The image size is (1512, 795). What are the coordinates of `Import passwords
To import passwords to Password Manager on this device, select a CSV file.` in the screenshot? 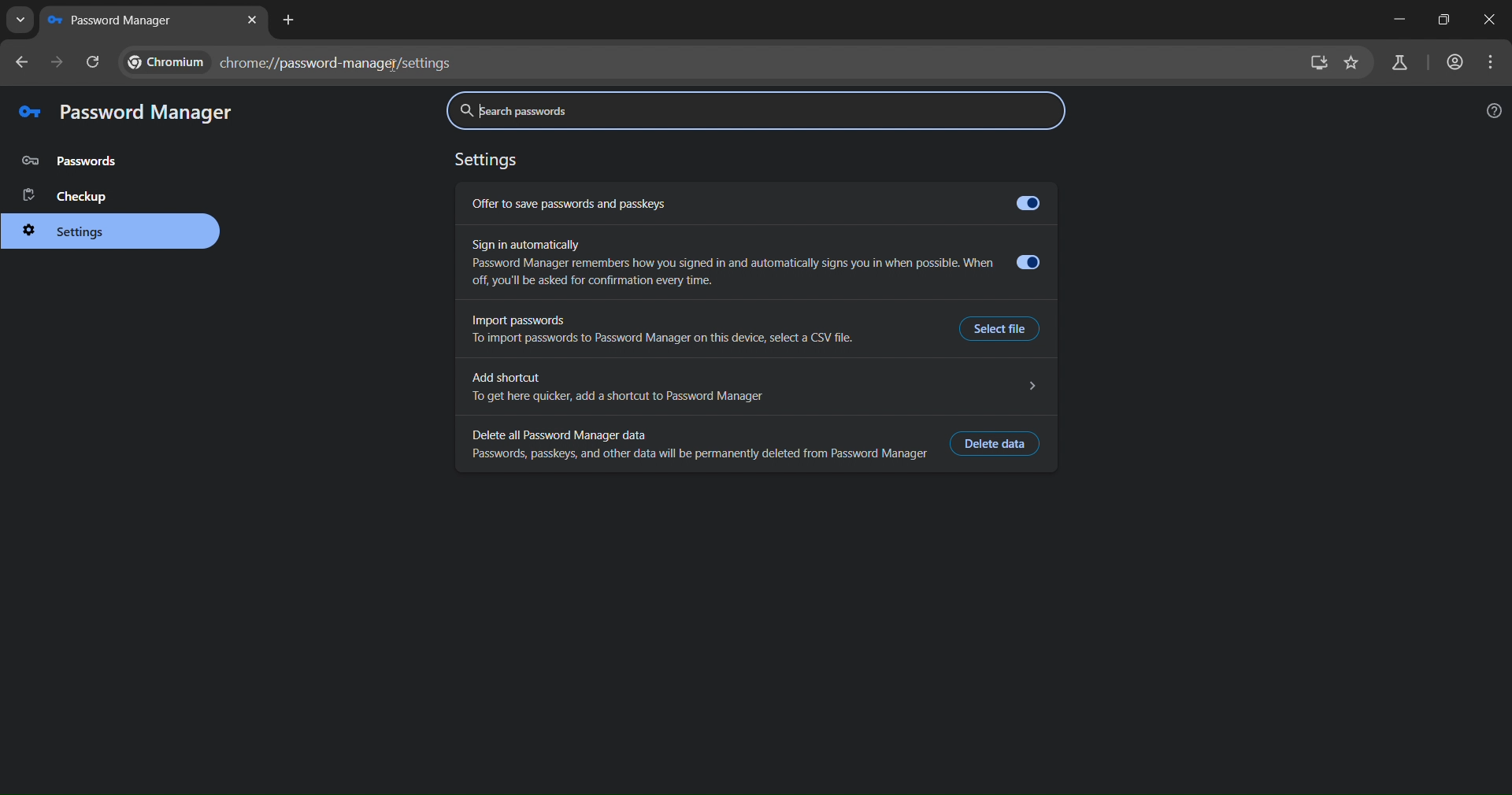 It's located at (662, 333).